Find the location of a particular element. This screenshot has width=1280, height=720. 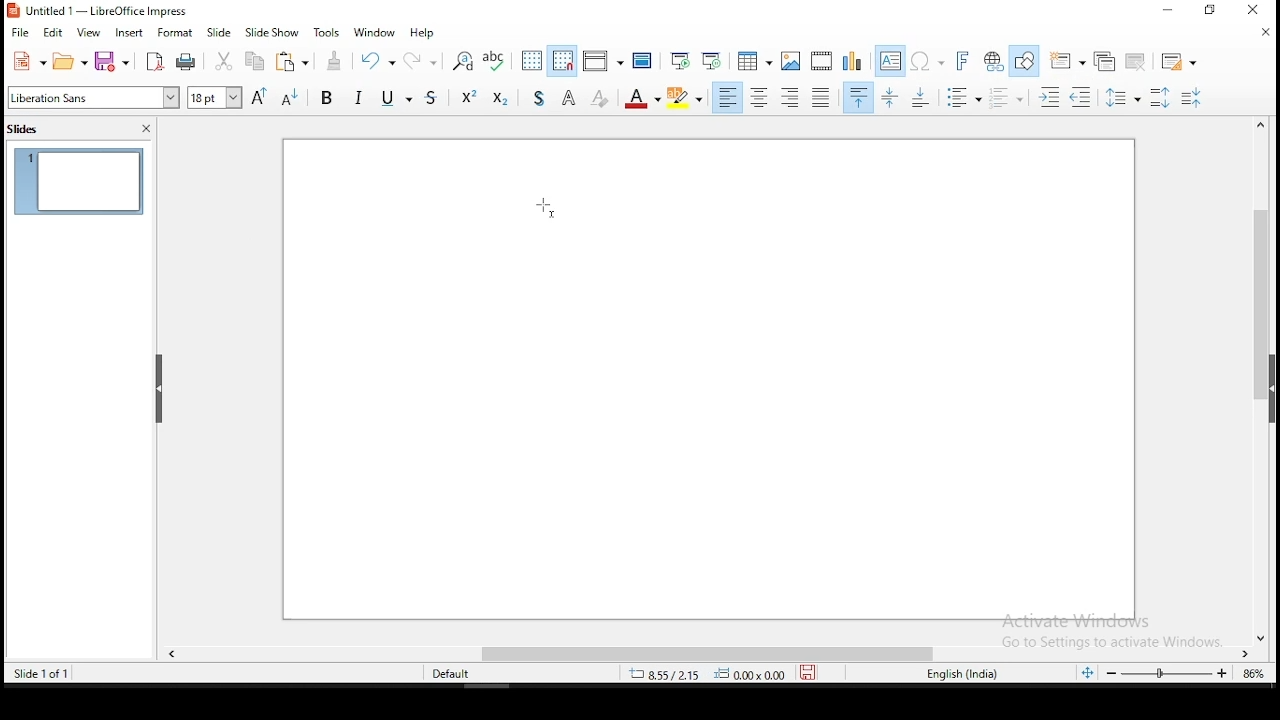

text box is located at coordinates (888, 61).